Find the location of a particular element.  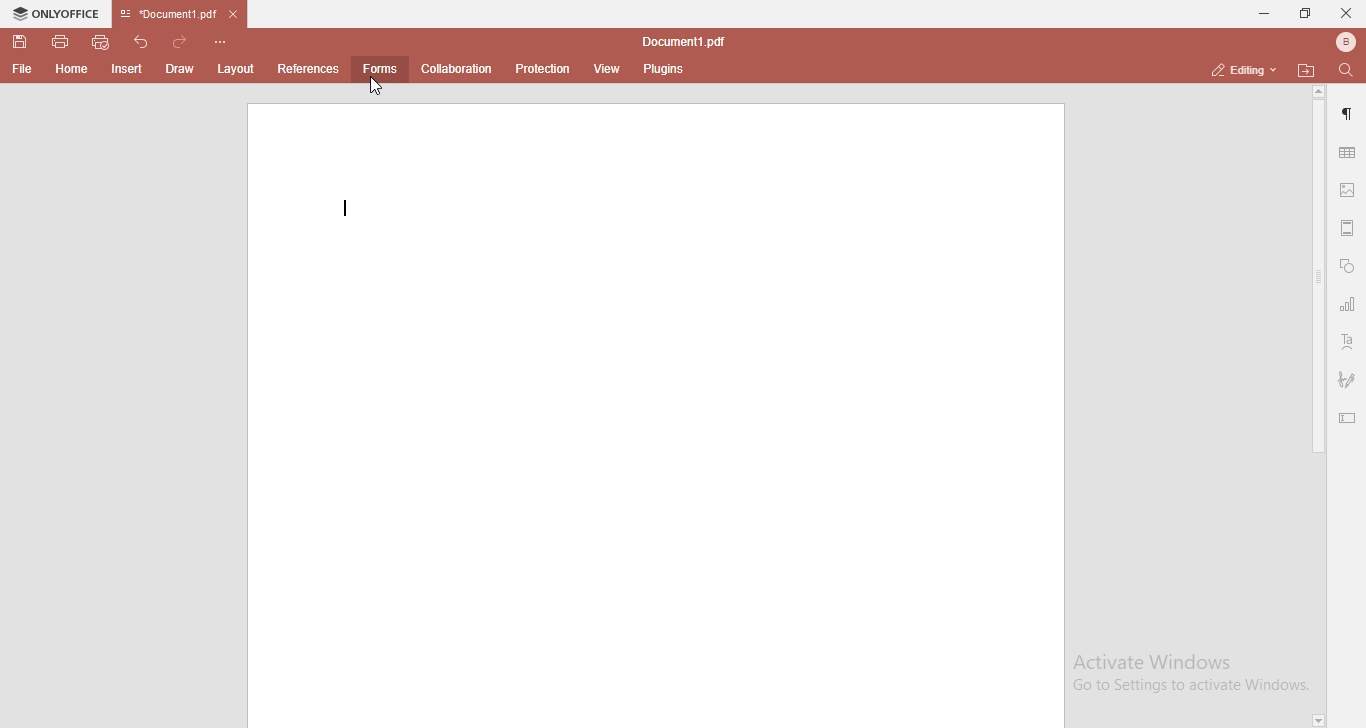

insert is located at coordinates (127, 68).